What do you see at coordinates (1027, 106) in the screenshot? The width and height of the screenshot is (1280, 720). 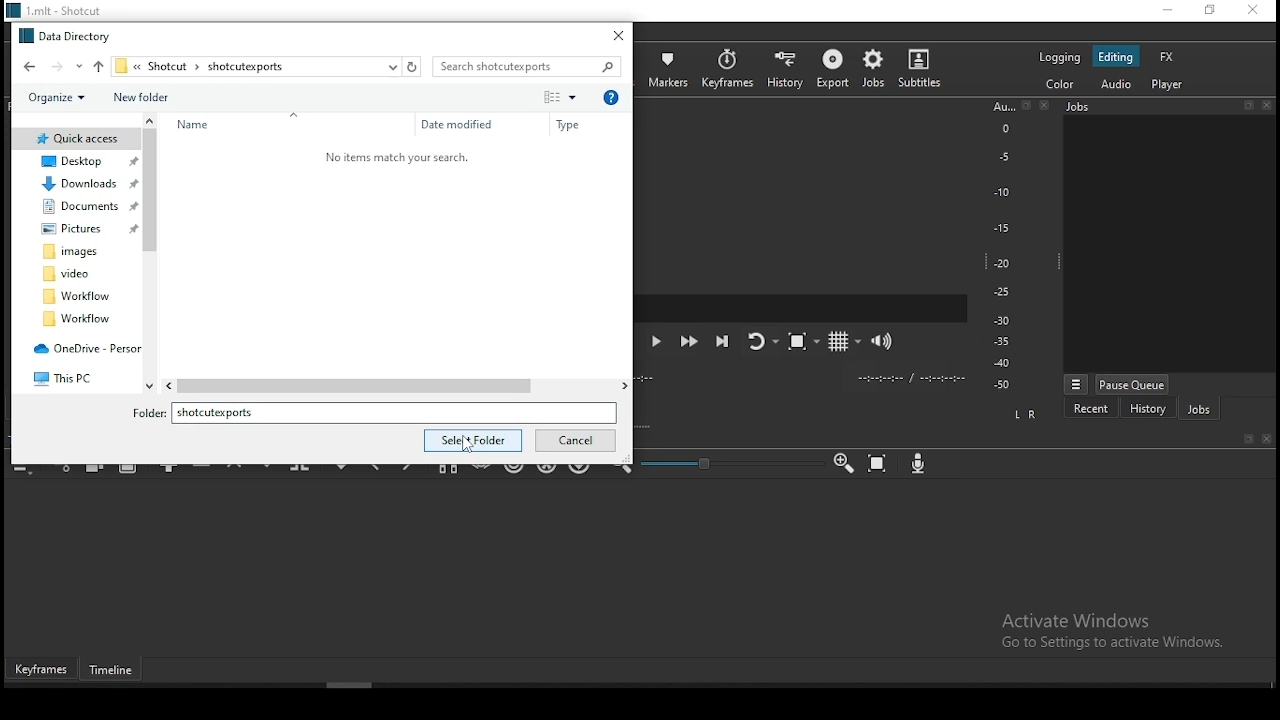 I see `Bookmark` at bounding box center [1027, 106].